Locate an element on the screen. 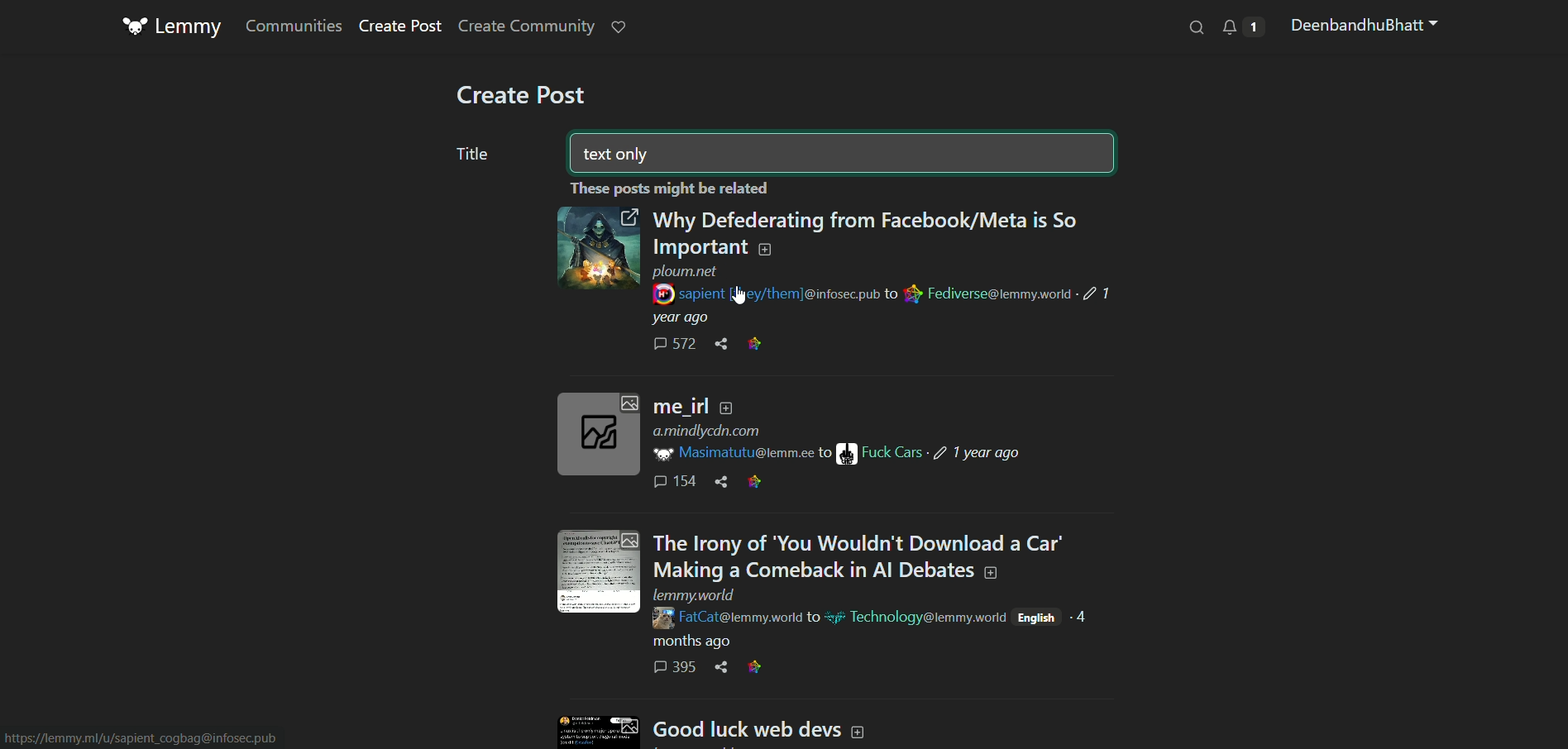 This screenshot has height=749, width=1568. profile is located at coordinates (1365, 27).